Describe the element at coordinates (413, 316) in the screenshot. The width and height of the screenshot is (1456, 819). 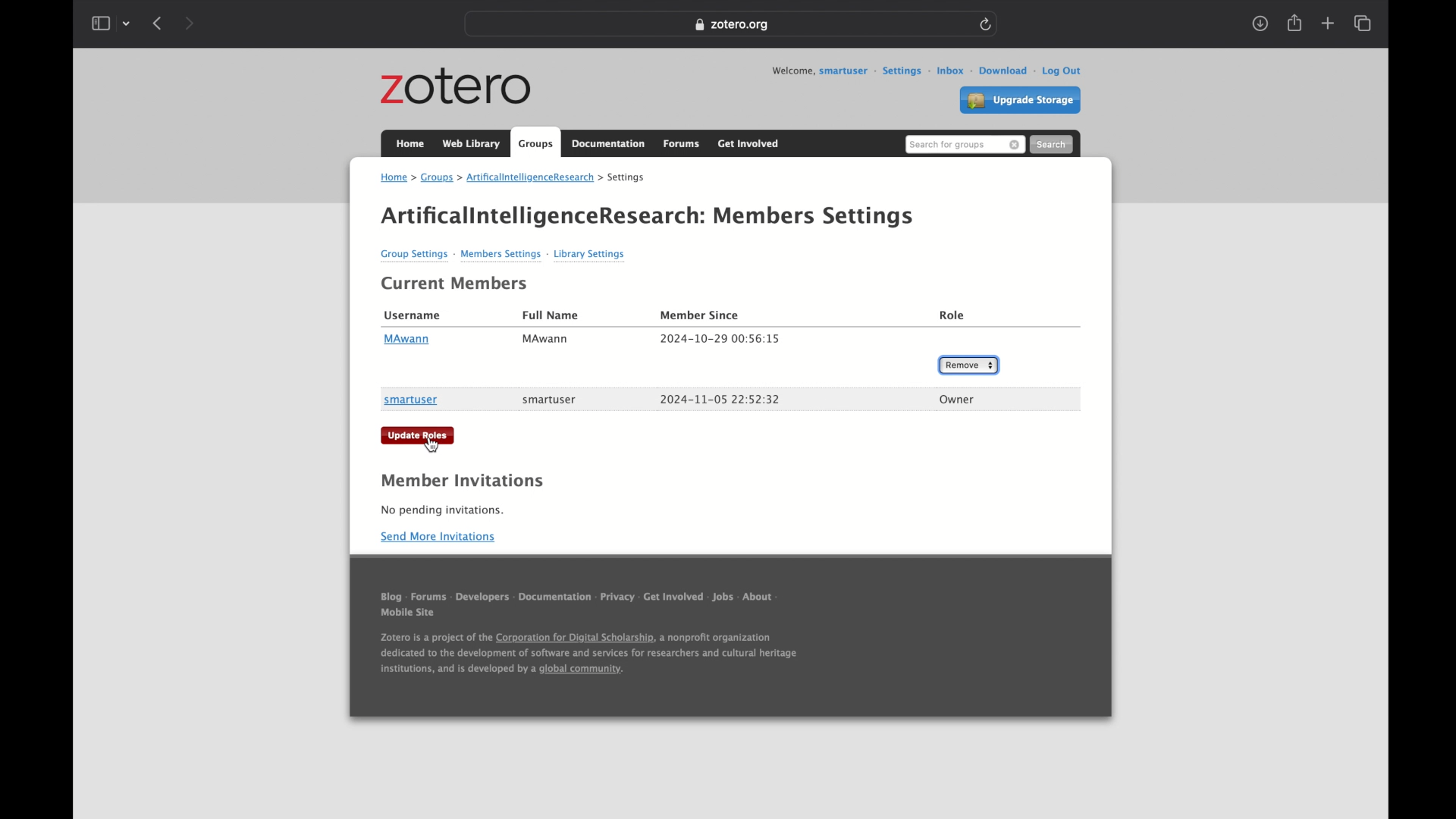
I see `username` at that location.